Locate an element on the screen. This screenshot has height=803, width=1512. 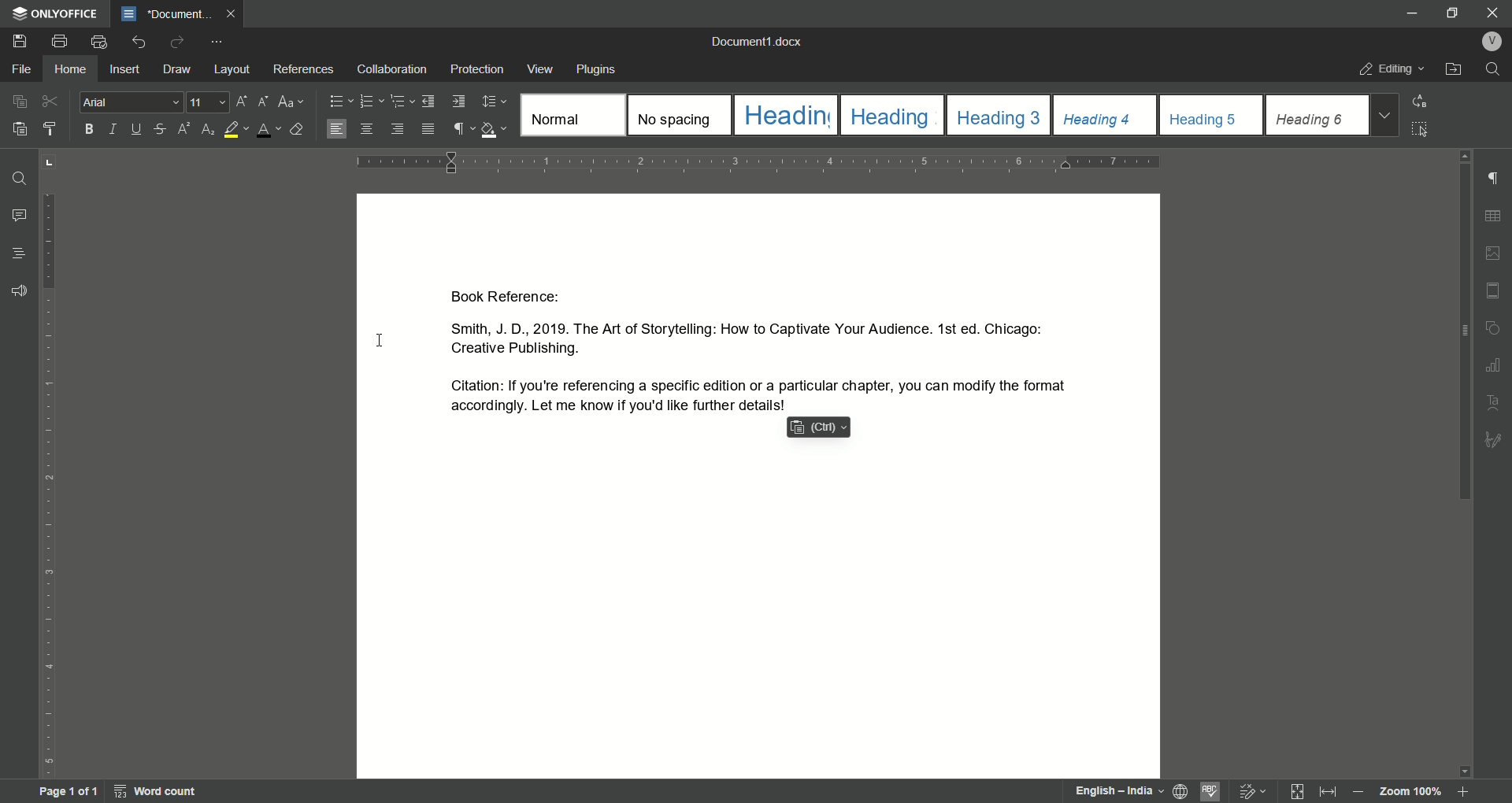
align center is located at coordinates (366, 128).